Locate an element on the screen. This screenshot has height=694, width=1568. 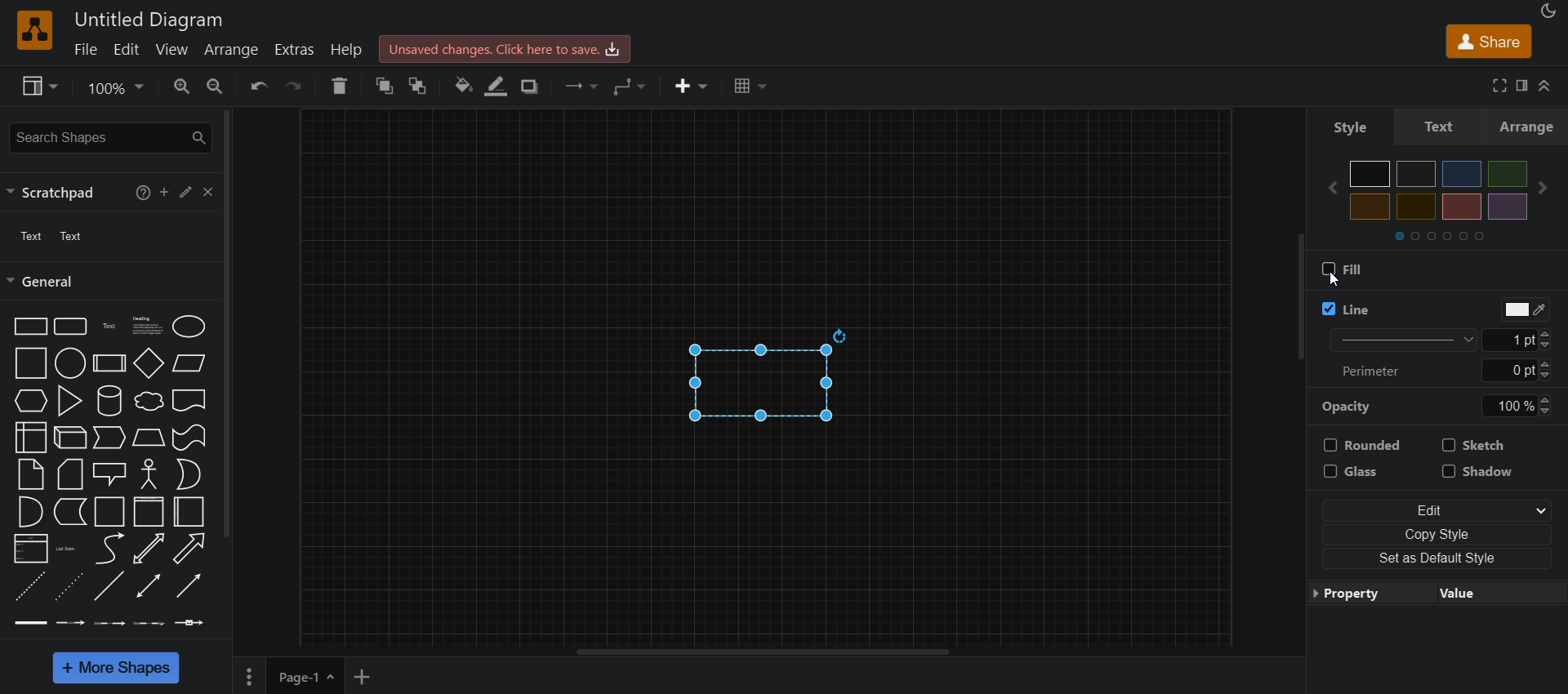
vertical scroll bar is located at coordinates (1299, 300).